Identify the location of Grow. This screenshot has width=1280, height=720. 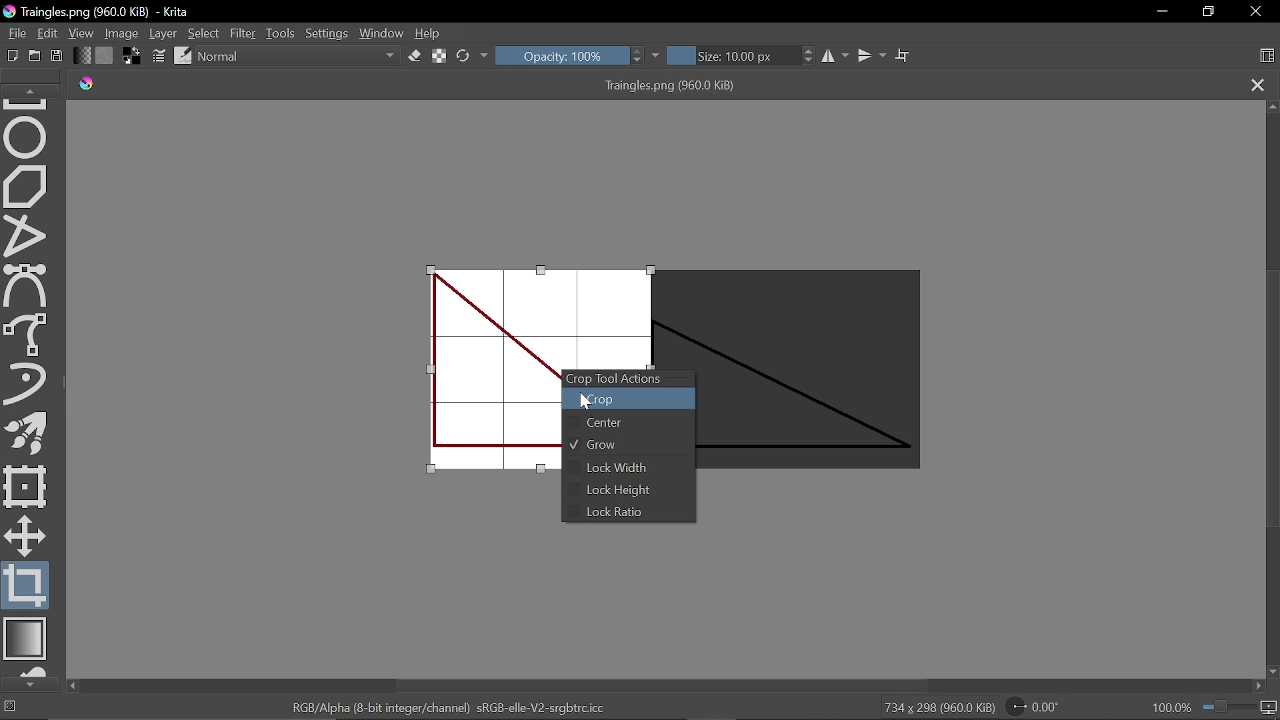
(599, 445).